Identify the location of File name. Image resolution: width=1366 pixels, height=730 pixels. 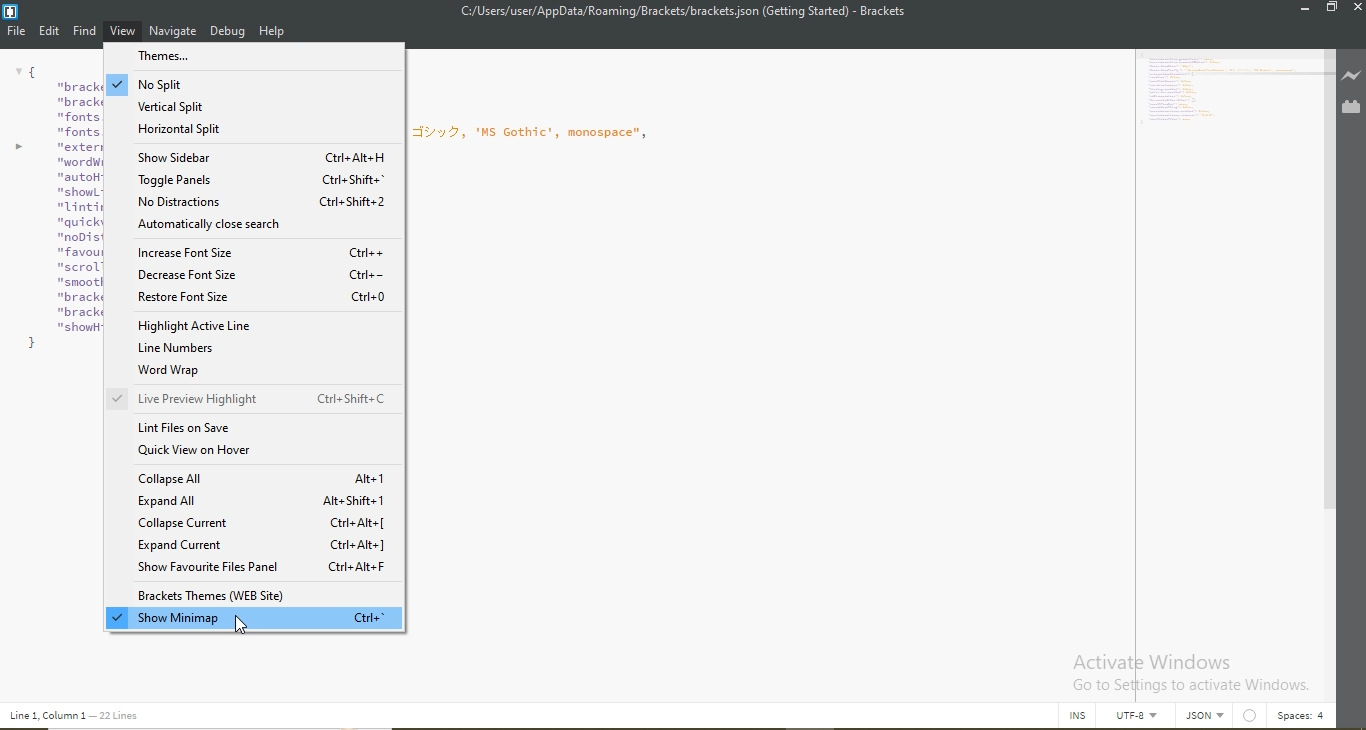
(681, 11).